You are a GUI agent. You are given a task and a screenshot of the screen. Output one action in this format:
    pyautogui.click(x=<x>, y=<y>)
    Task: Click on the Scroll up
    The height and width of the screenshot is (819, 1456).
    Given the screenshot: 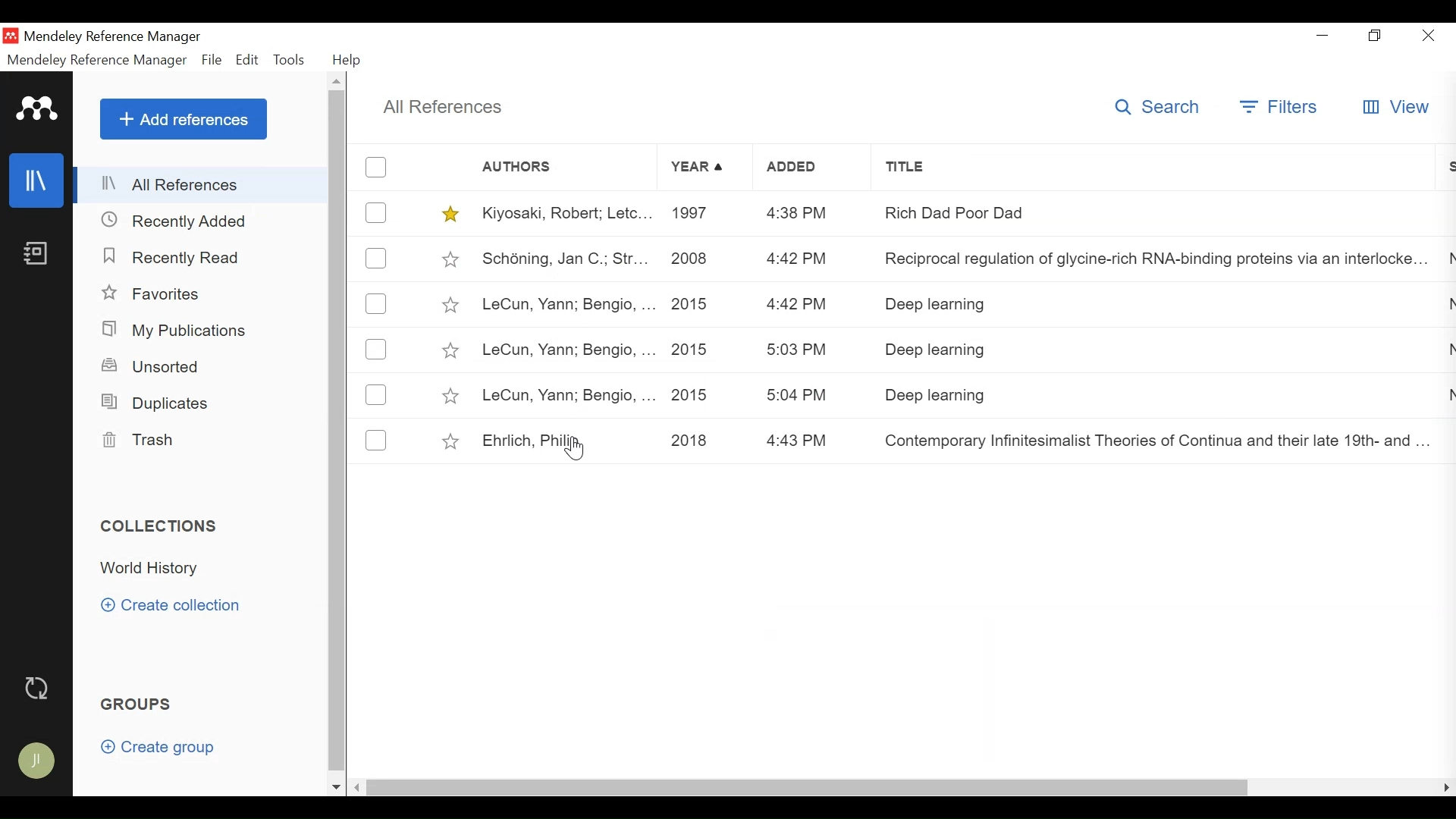 What is the action you would take?
    pyautogui.click(x=337, y=81)
    